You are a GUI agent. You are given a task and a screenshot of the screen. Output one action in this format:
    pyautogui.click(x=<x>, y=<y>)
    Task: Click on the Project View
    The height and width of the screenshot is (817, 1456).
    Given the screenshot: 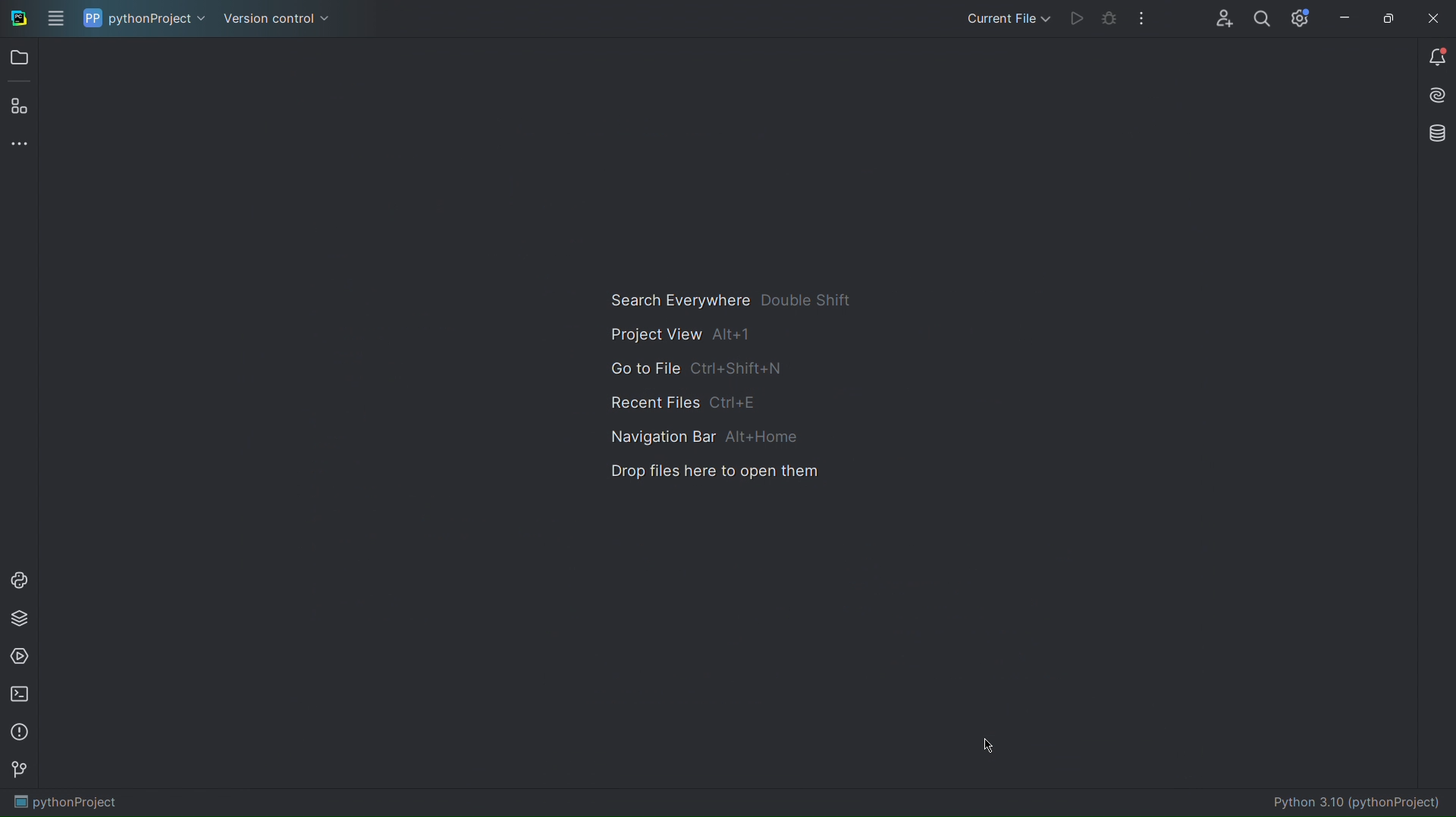 What is the action you would take?
    pyautogui.click(x=685, y=333)
    